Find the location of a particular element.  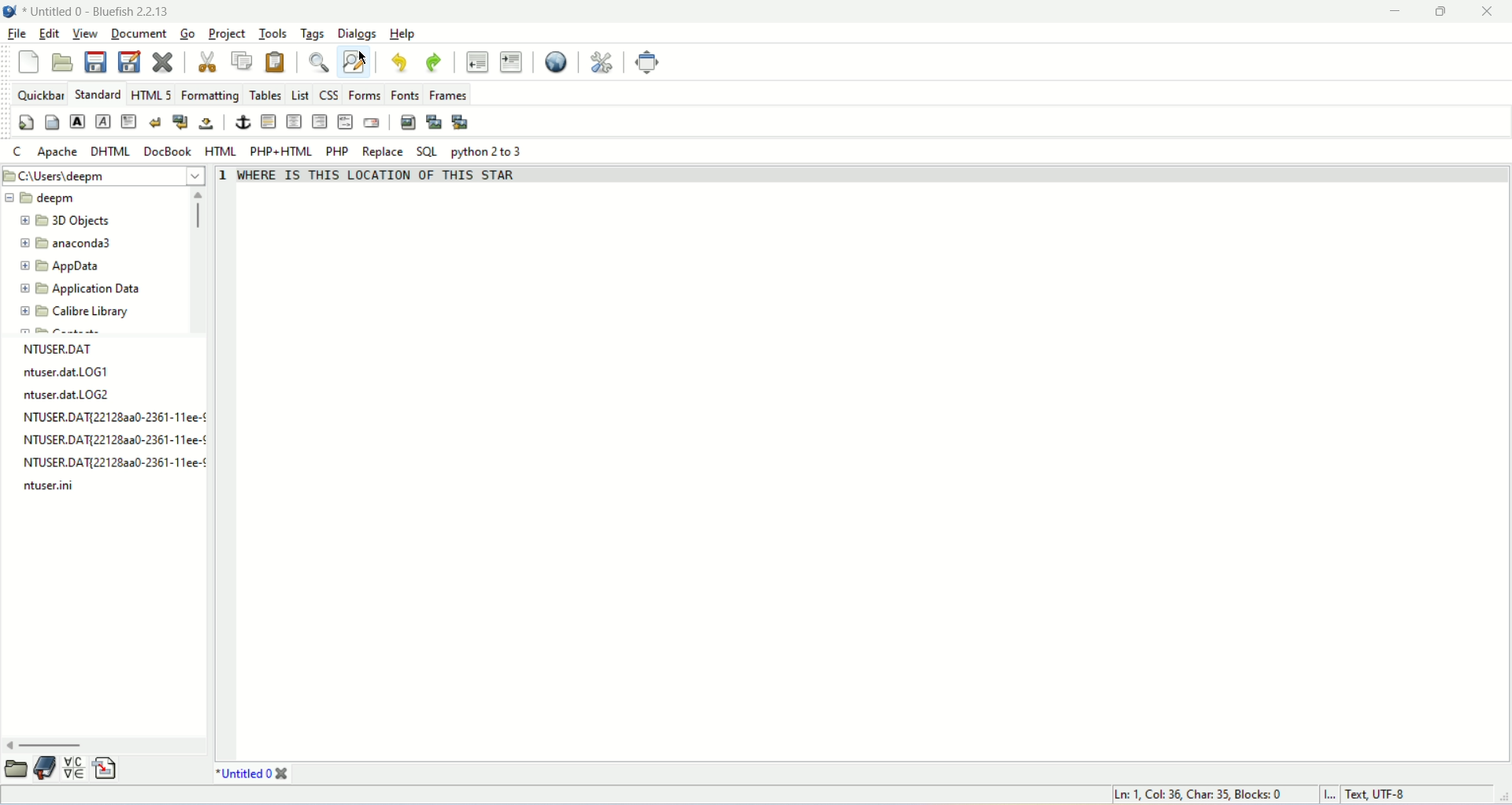

Untitled 0 - Bluefish 2.2.13 is located at coordinates (98, 10).